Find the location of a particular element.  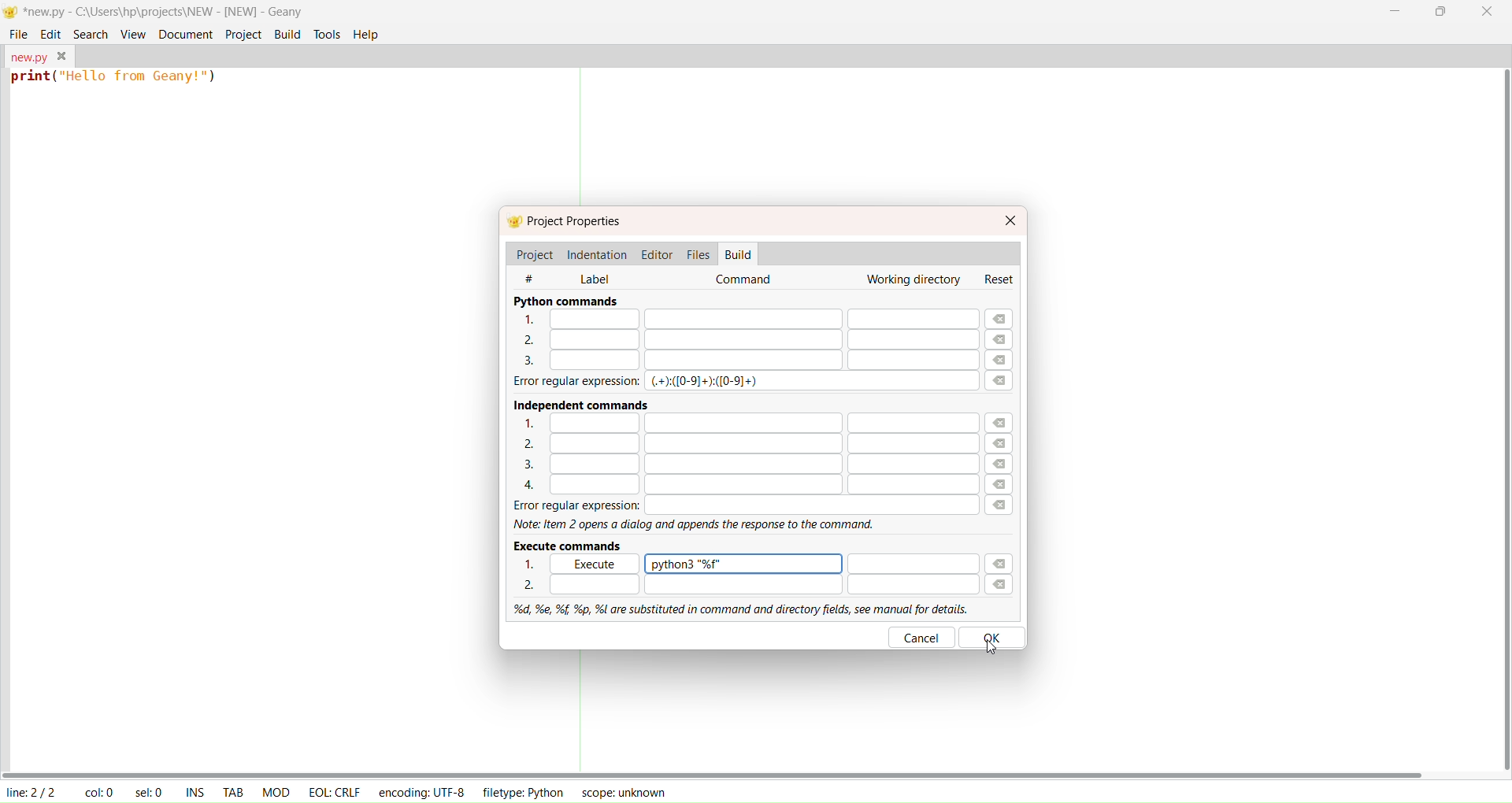

2. is located at coordinates (738, 443).